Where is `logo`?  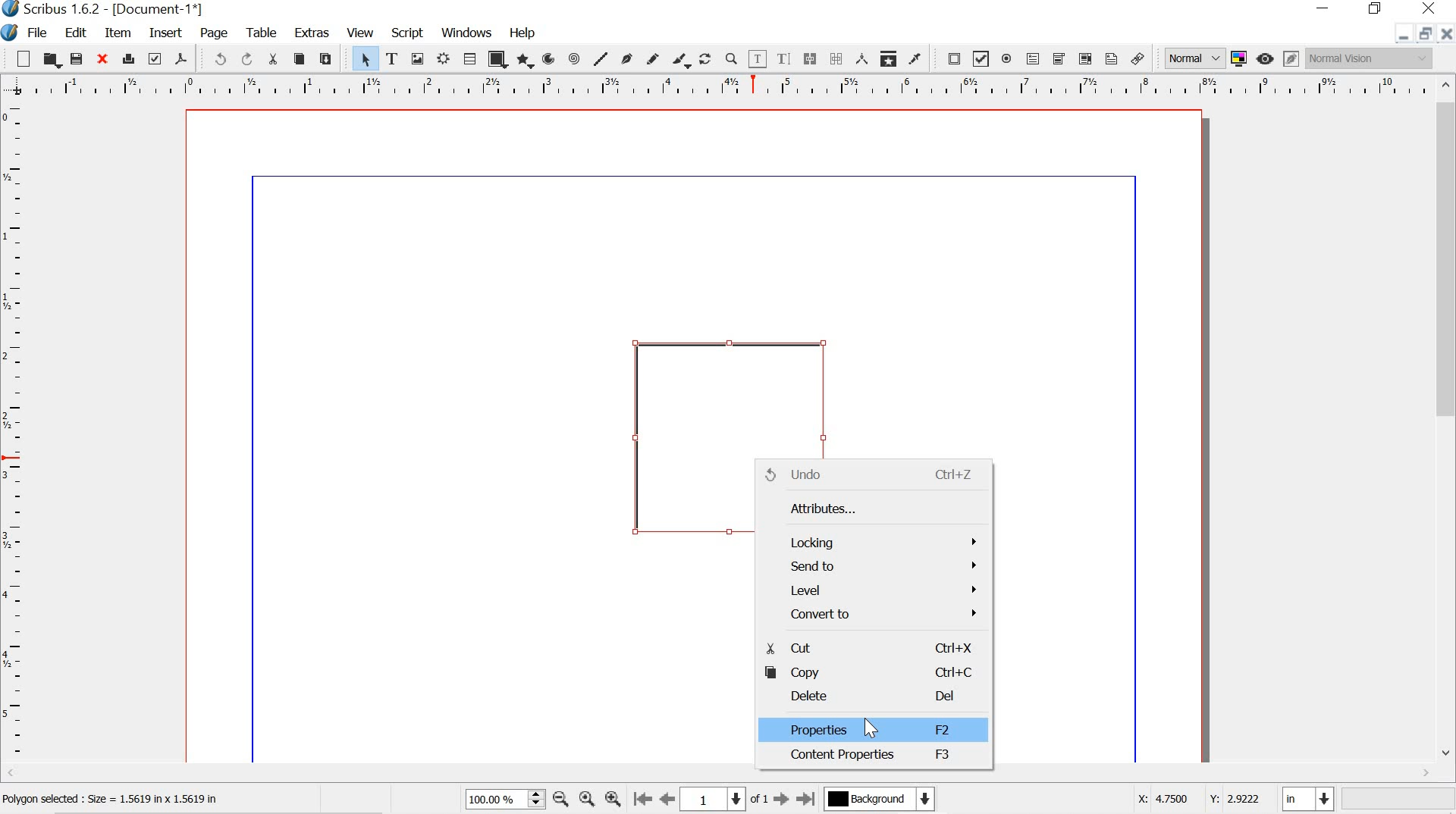 logo is located at coordinates (10, 31).